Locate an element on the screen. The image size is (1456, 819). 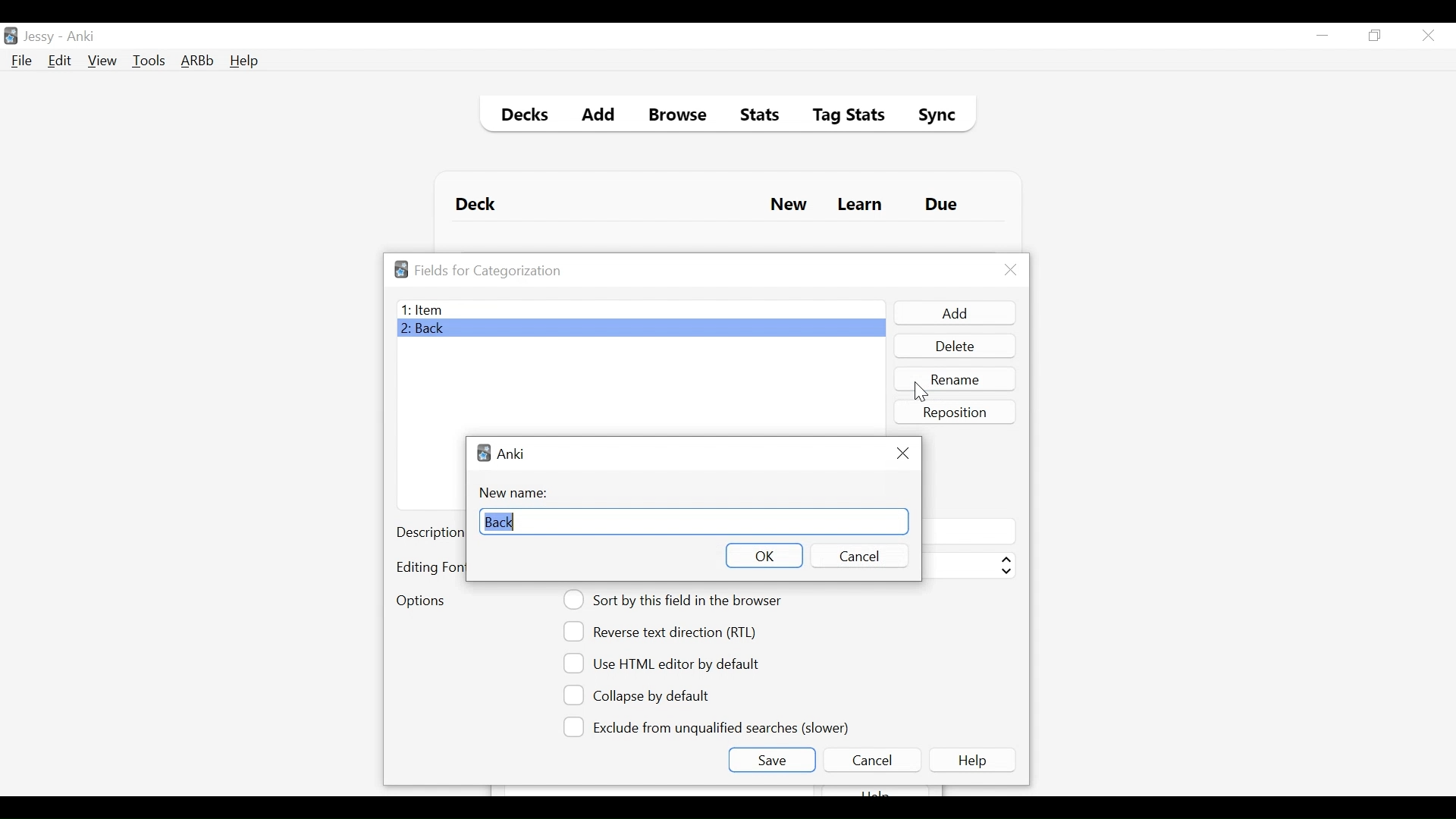
Options is located at coordinates (420, 602).